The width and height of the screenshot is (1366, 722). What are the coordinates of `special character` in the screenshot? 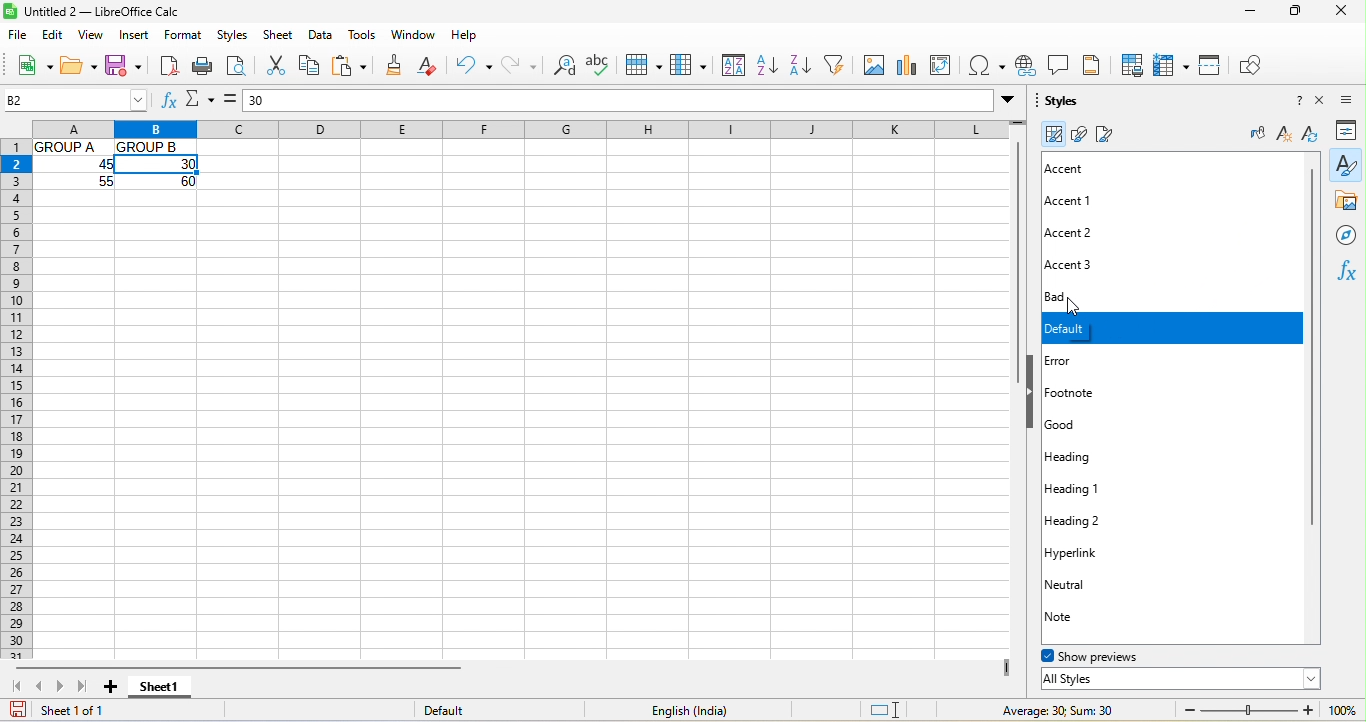 It's located at (986, 65).